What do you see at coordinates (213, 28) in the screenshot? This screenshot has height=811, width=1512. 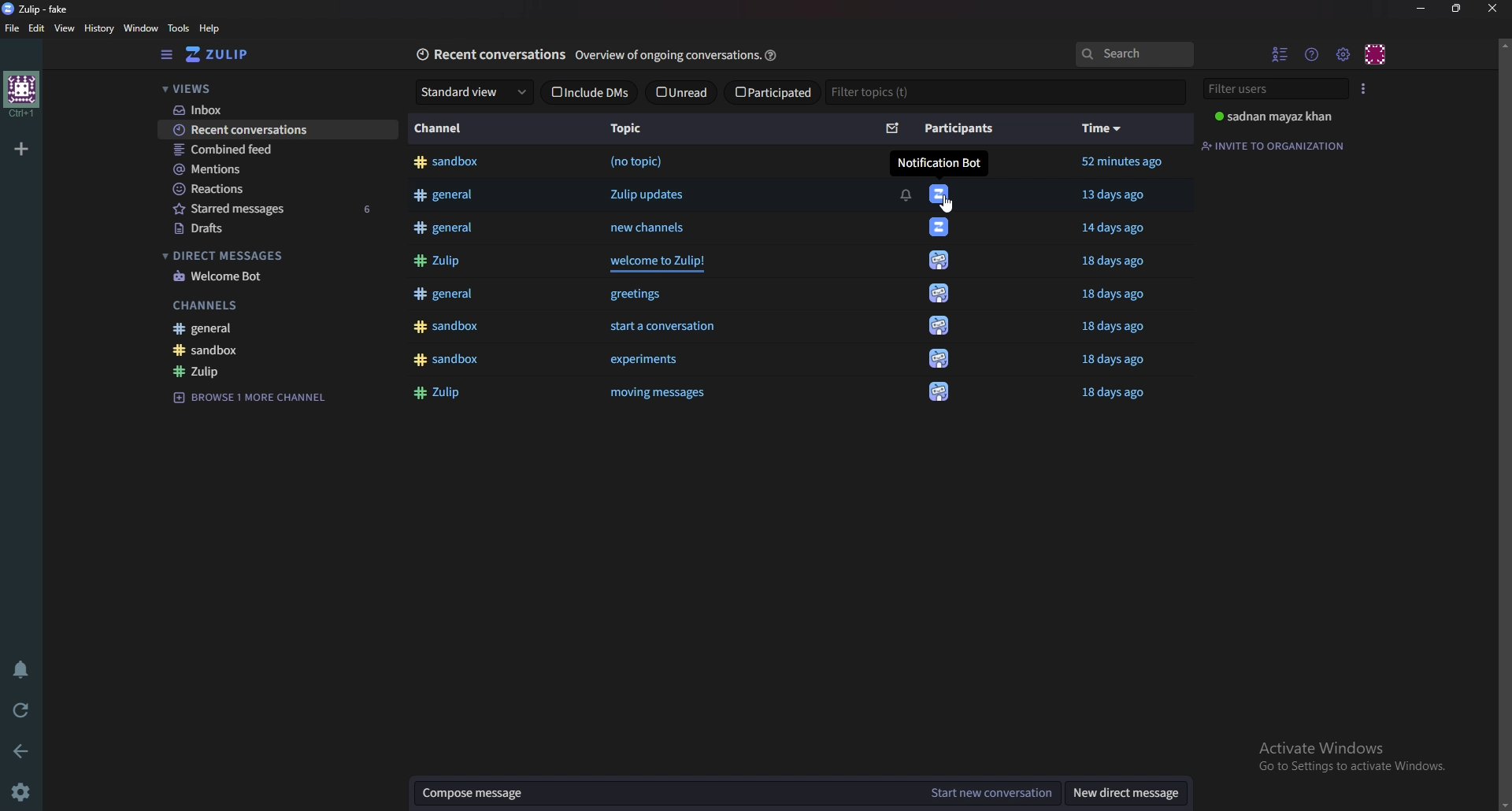 I see `Help` at bounding box center [213, 28].